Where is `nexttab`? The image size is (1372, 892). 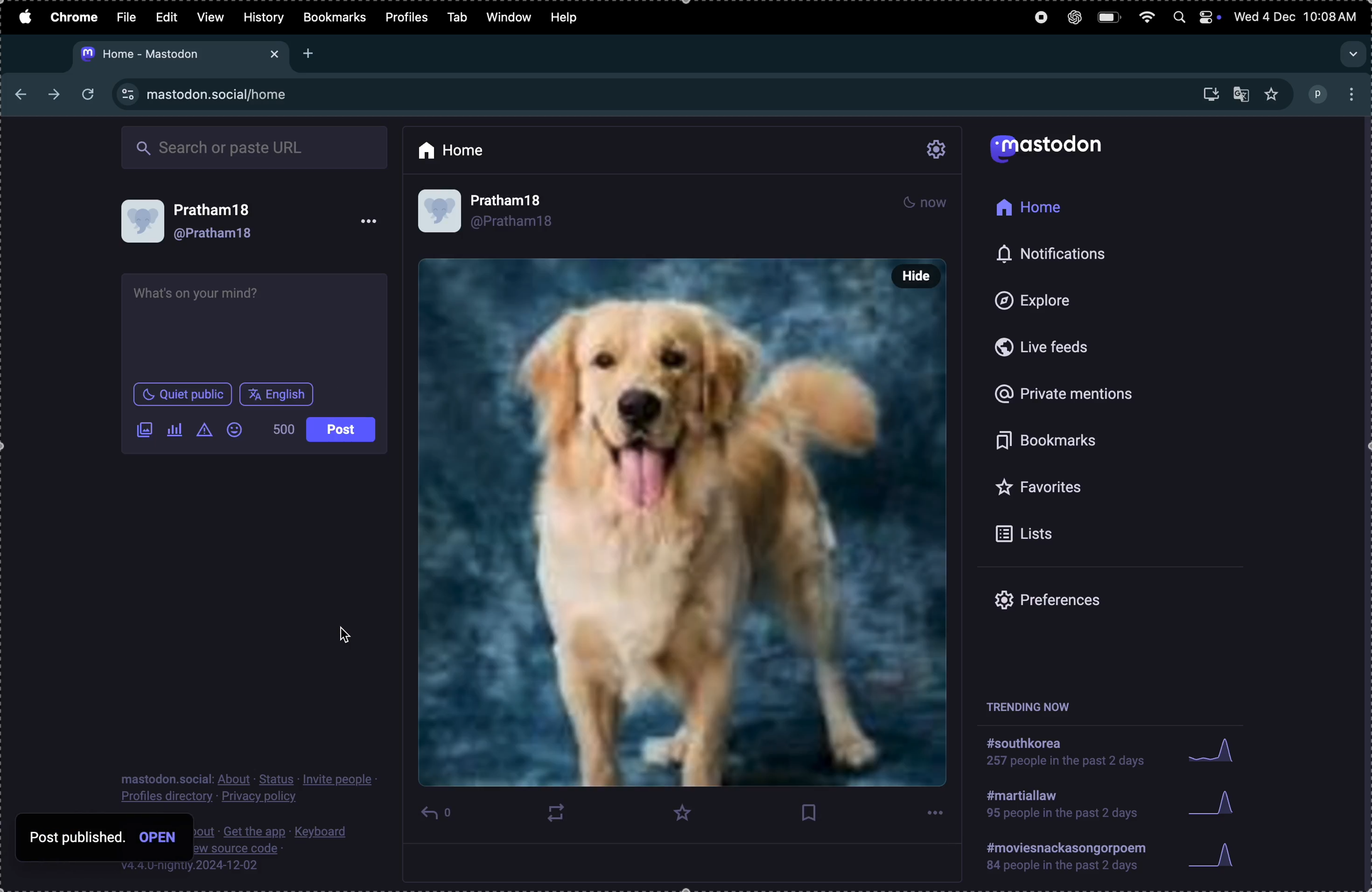 nexttab is located at coordinates (55, 95).